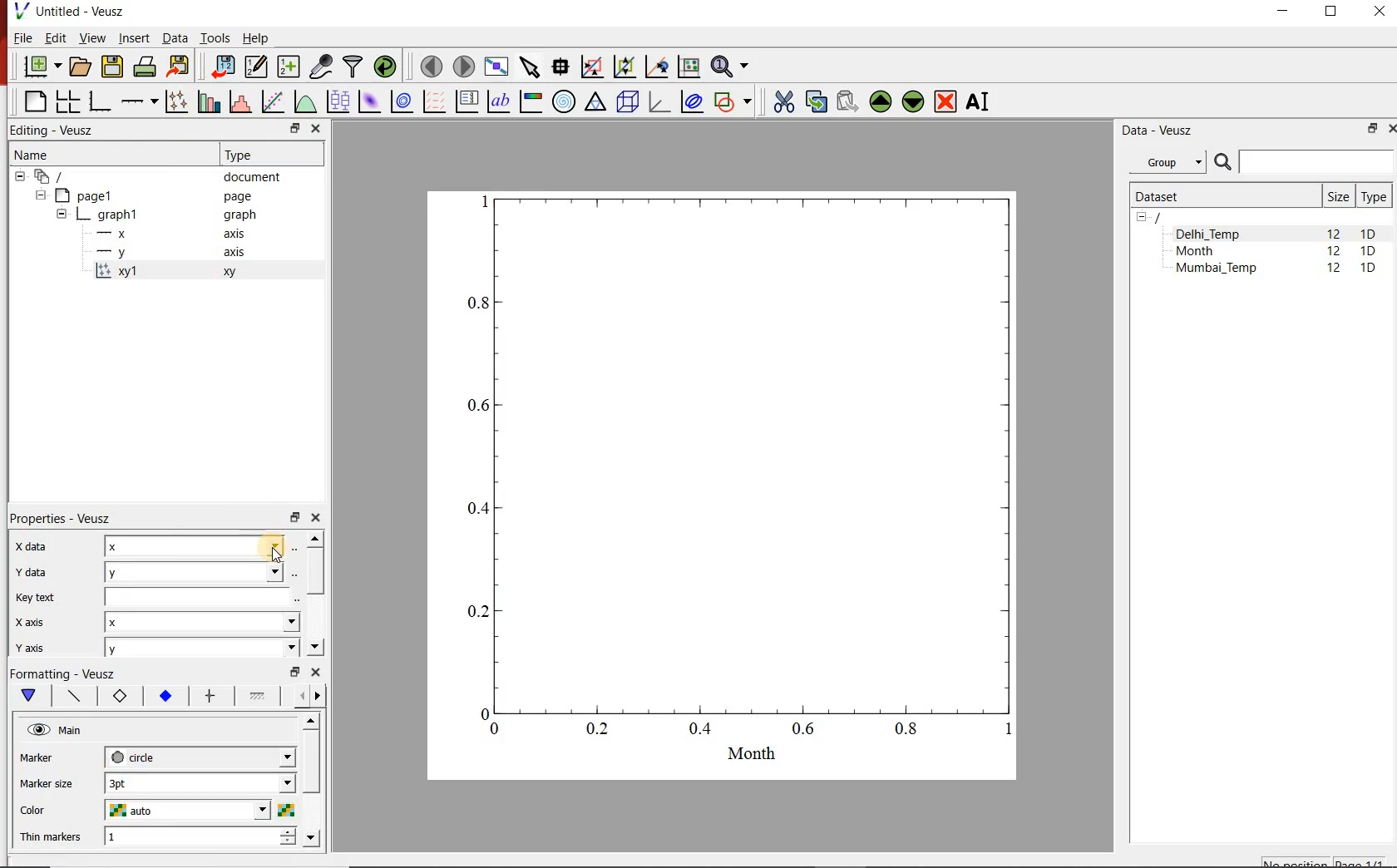 The image size is (1397, 868). Describe the element at coordinates (814, 101) in the screenshot. I see `copy the selected widget` at that location.